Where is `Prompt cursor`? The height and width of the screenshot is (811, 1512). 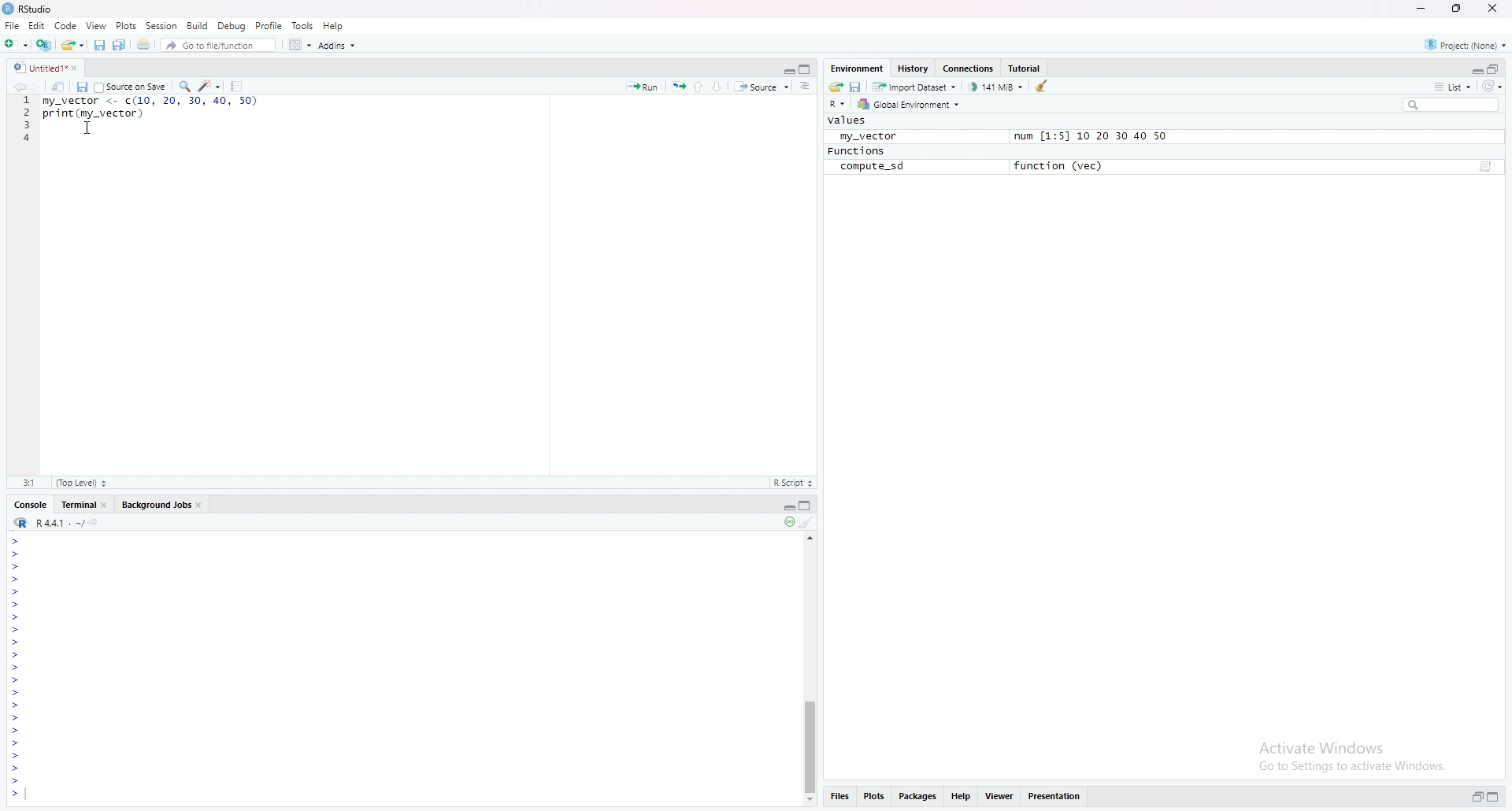
Prompt cursor is located at coordinates (17, 782).